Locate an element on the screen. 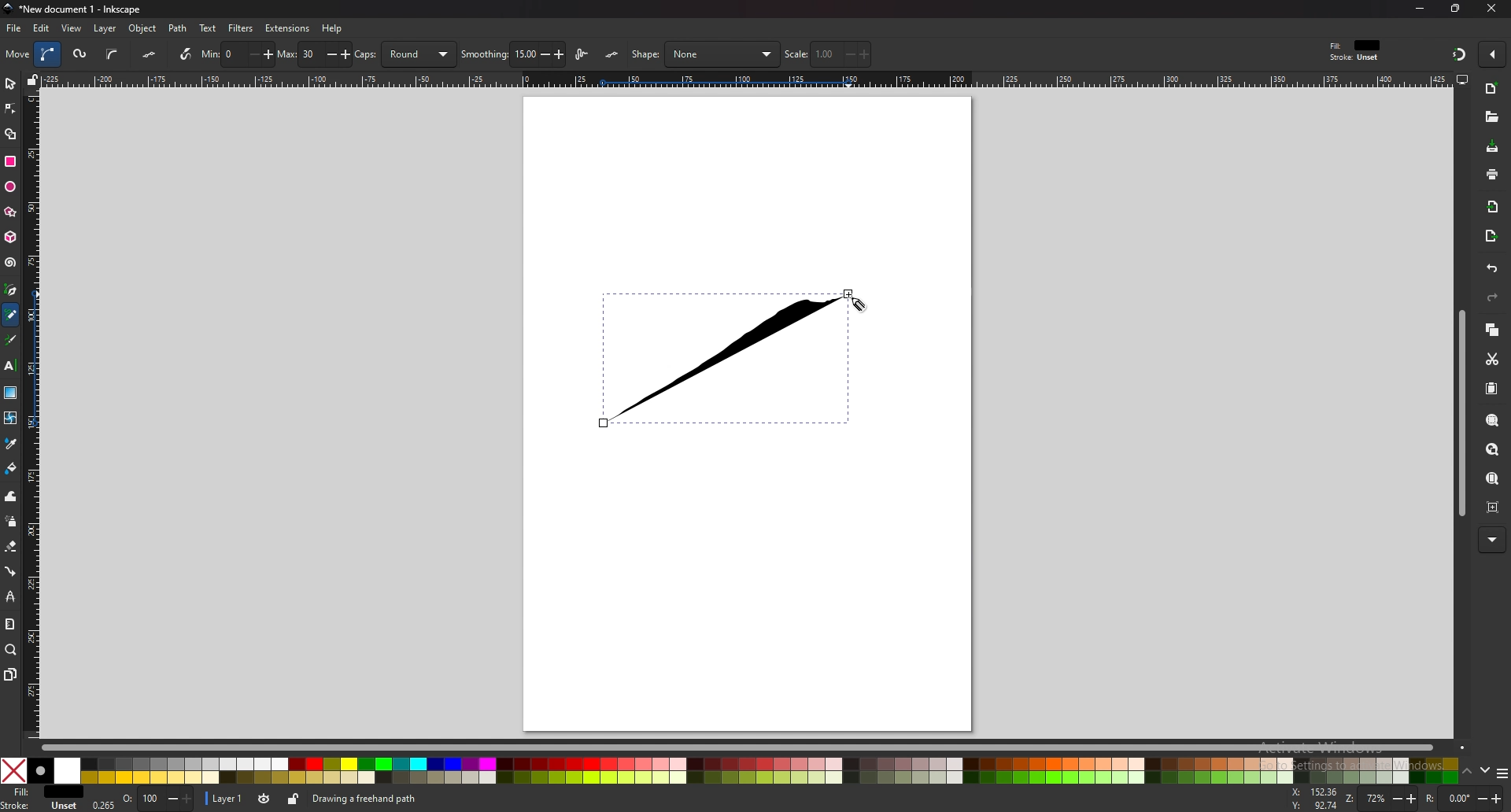 Image resolution: width=1511 pixels, height=812 pixels. use pressure input is located at coordinates (181, 54).